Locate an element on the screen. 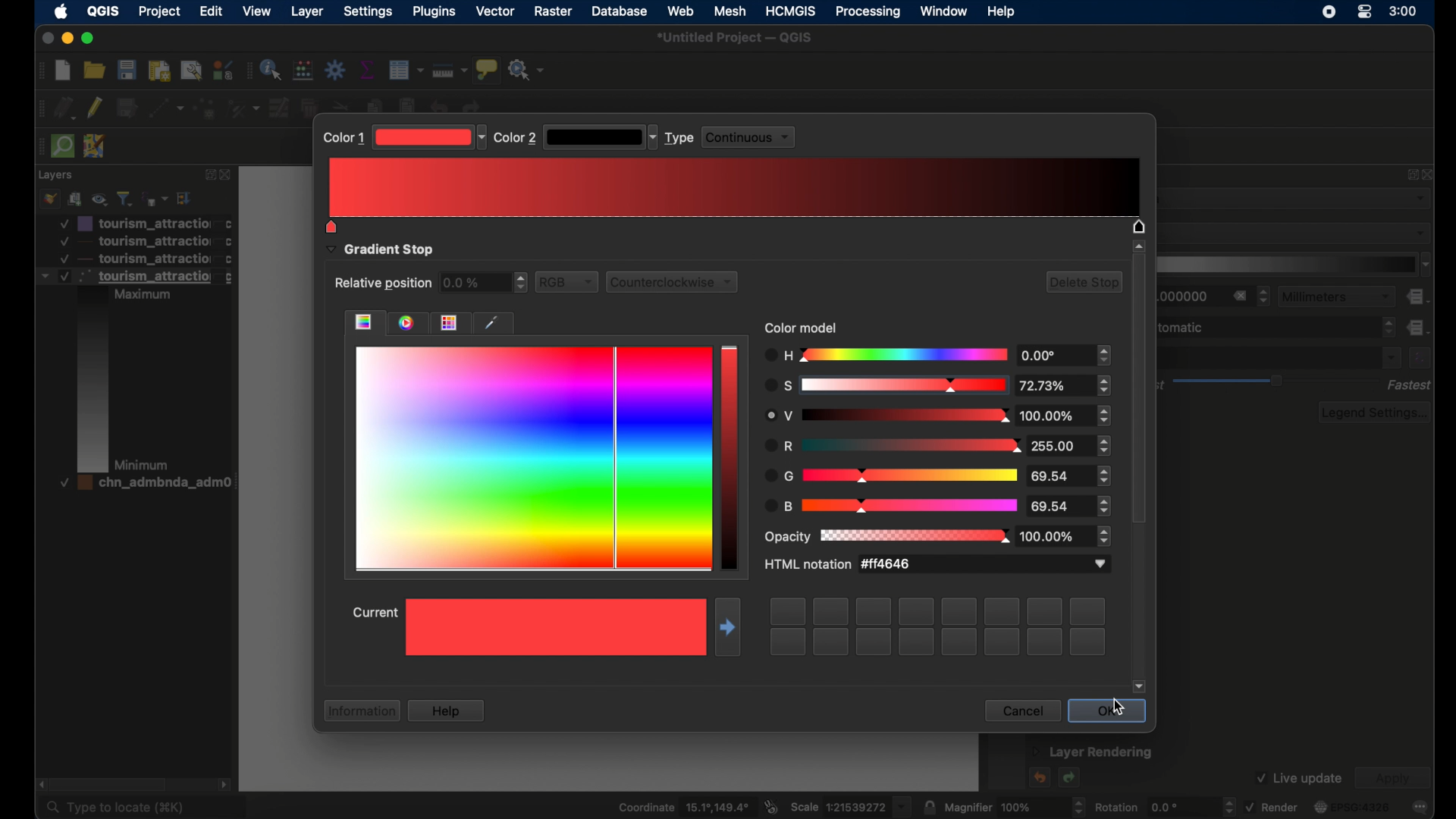 The width and height of the screenshot is (1456, 819). raster is located at coordinates (554, 11).